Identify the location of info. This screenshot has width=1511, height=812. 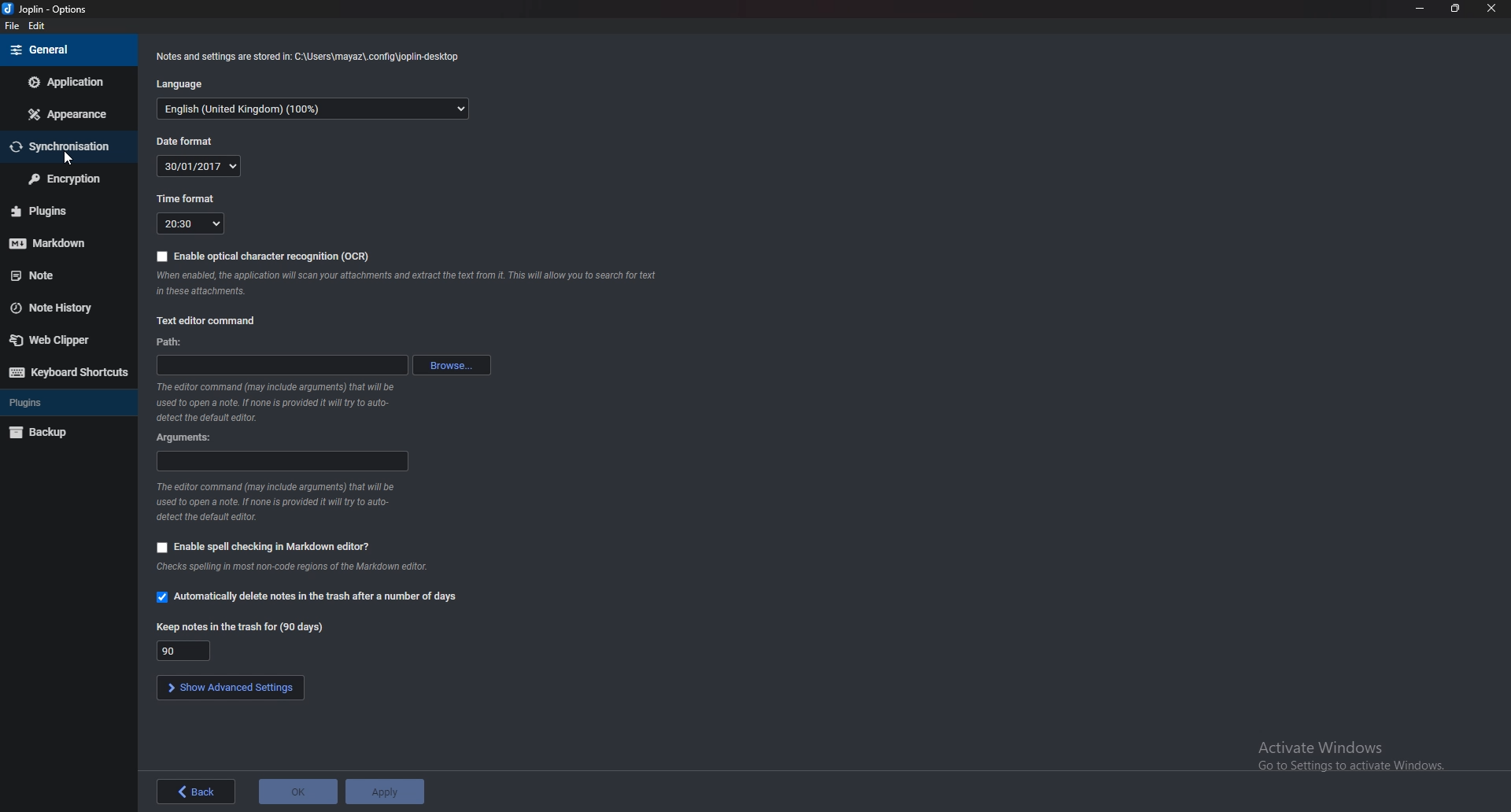
(275, 400).